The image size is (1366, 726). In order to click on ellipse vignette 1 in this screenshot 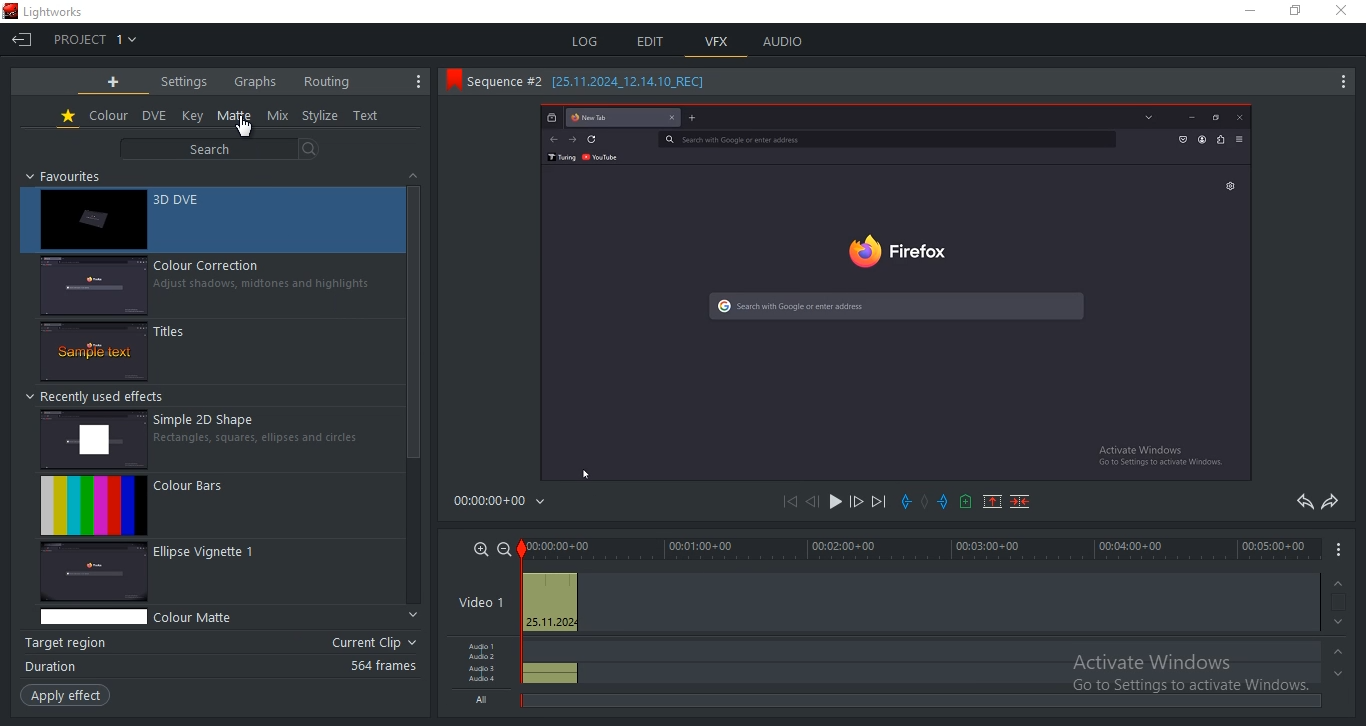, I will do `click(219, 573)`.